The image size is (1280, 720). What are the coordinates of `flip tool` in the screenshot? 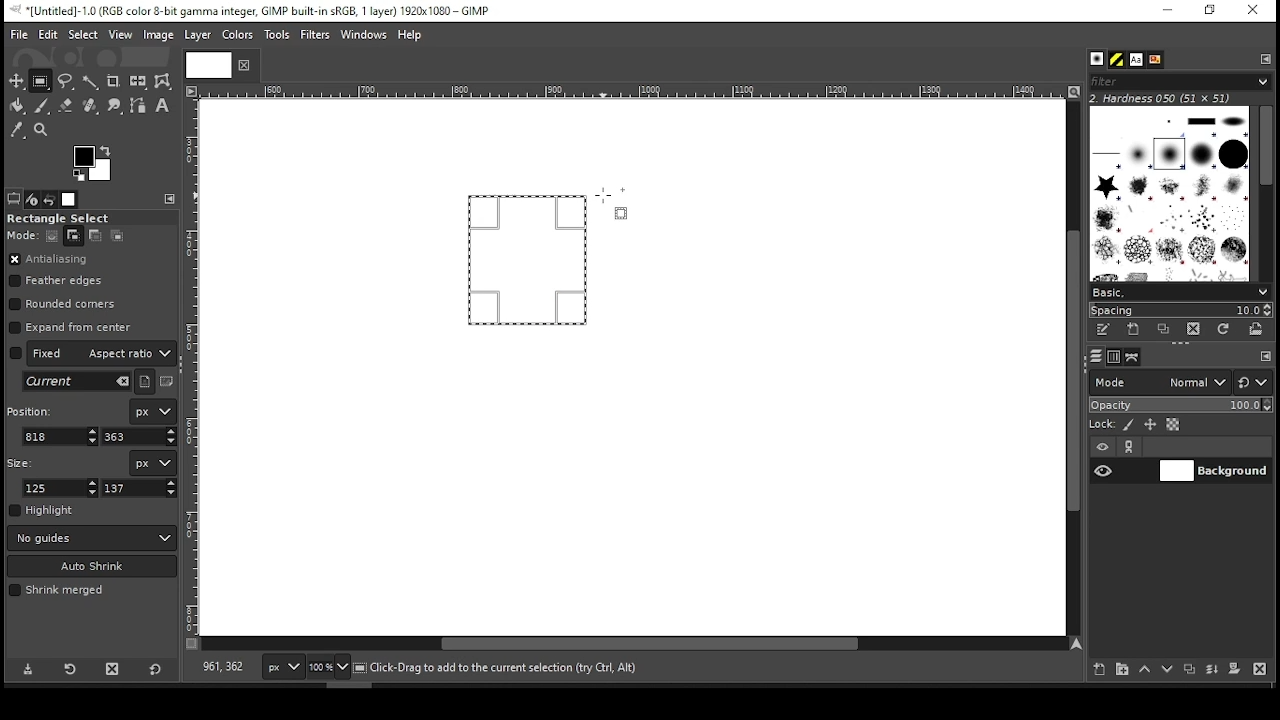 It's located at (138, 80).